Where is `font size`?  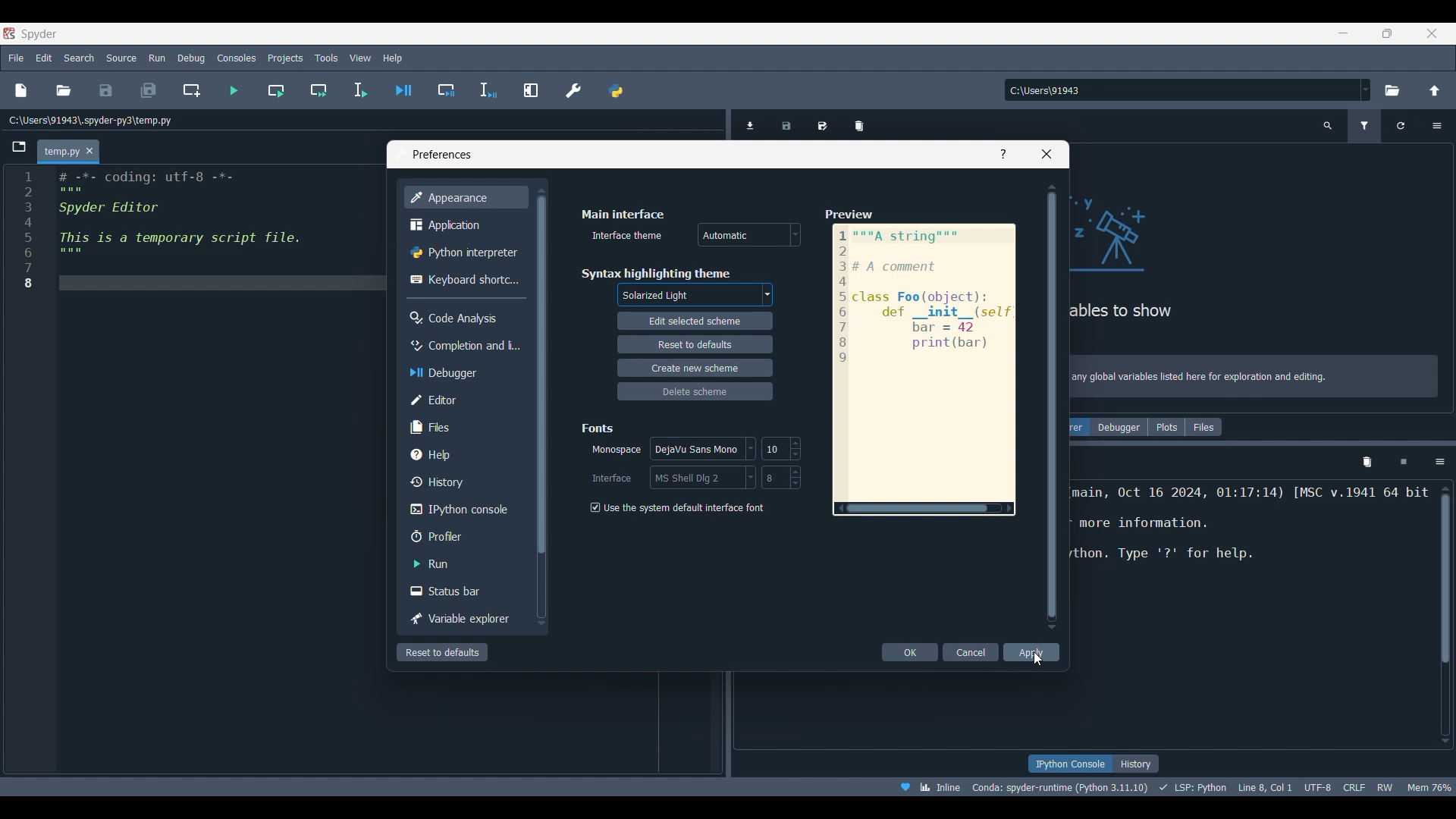
font size is located at coordinates (781, 448).